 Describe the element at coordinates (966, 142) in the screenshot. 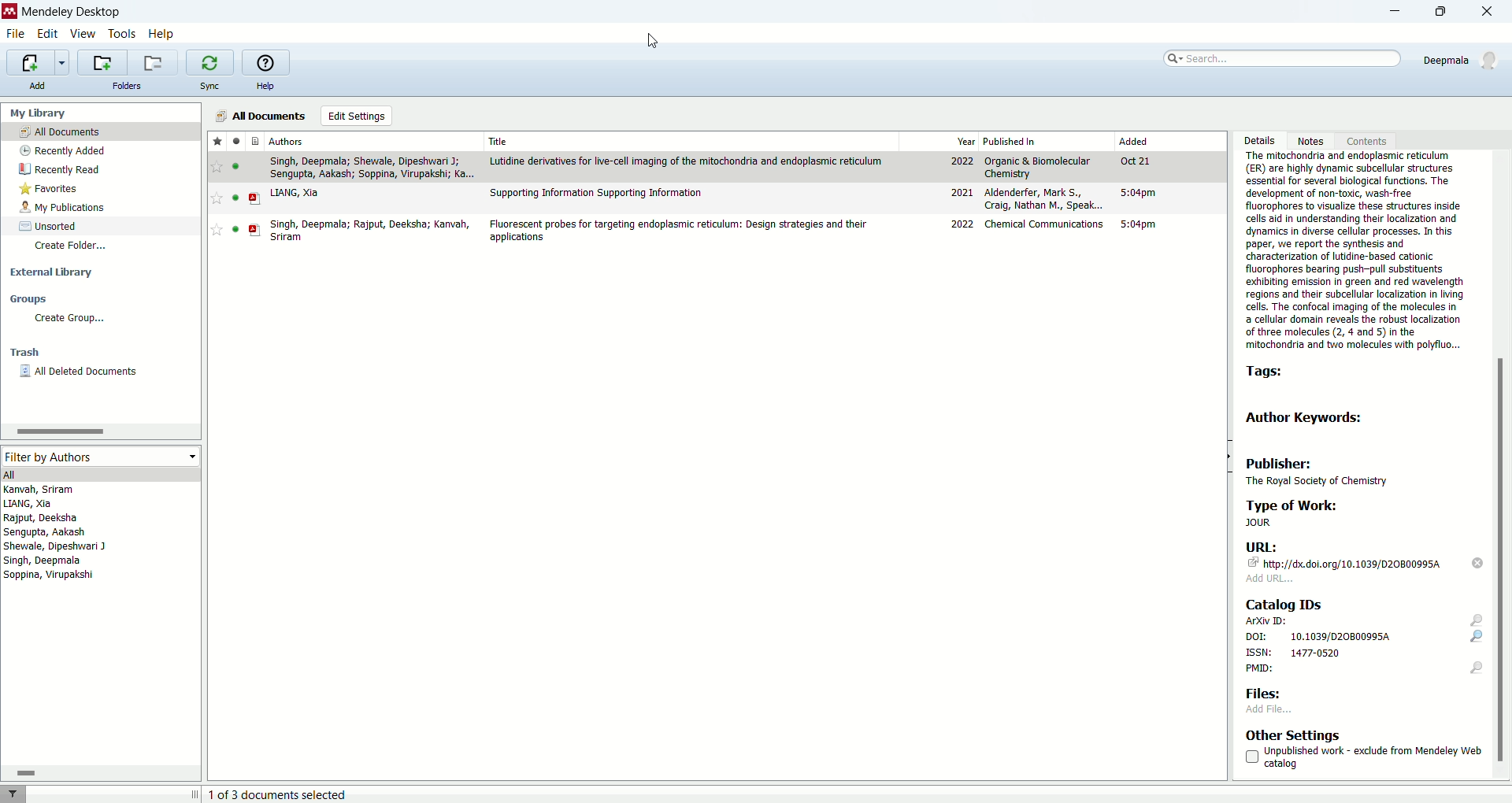

I see `year` at that location.